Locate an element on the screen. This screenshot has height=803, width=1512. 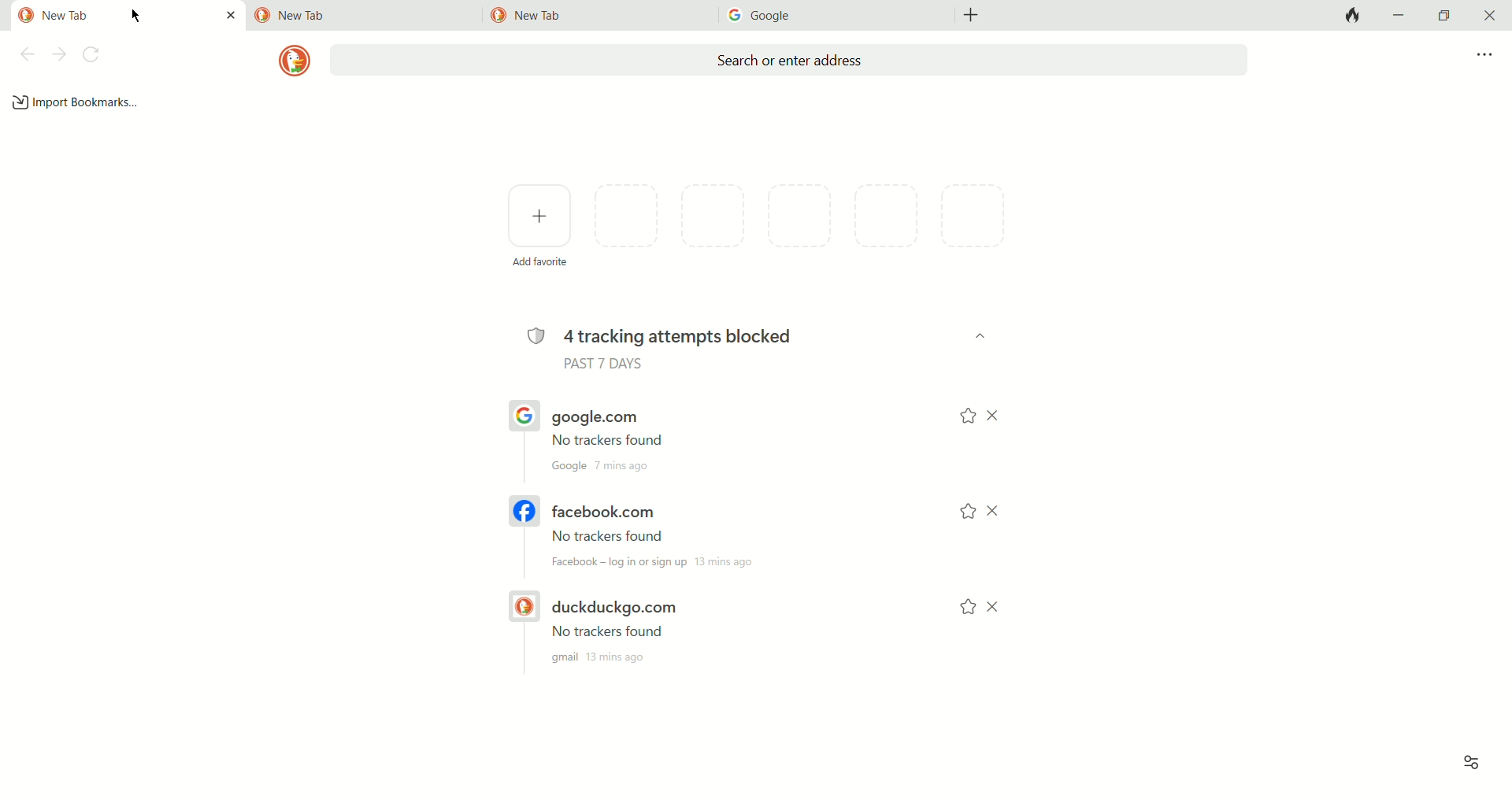
back is located at coordinates (29, 55).